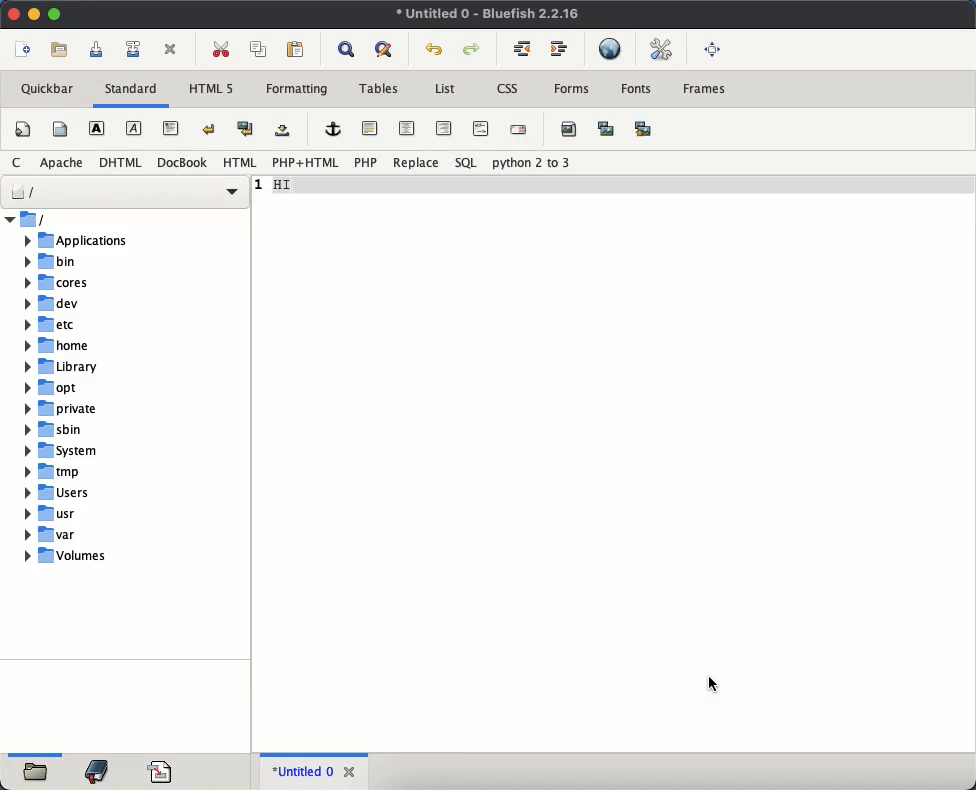 The width and height of the screenshot is (976, 790). I want to click on library, so click(100, 367).